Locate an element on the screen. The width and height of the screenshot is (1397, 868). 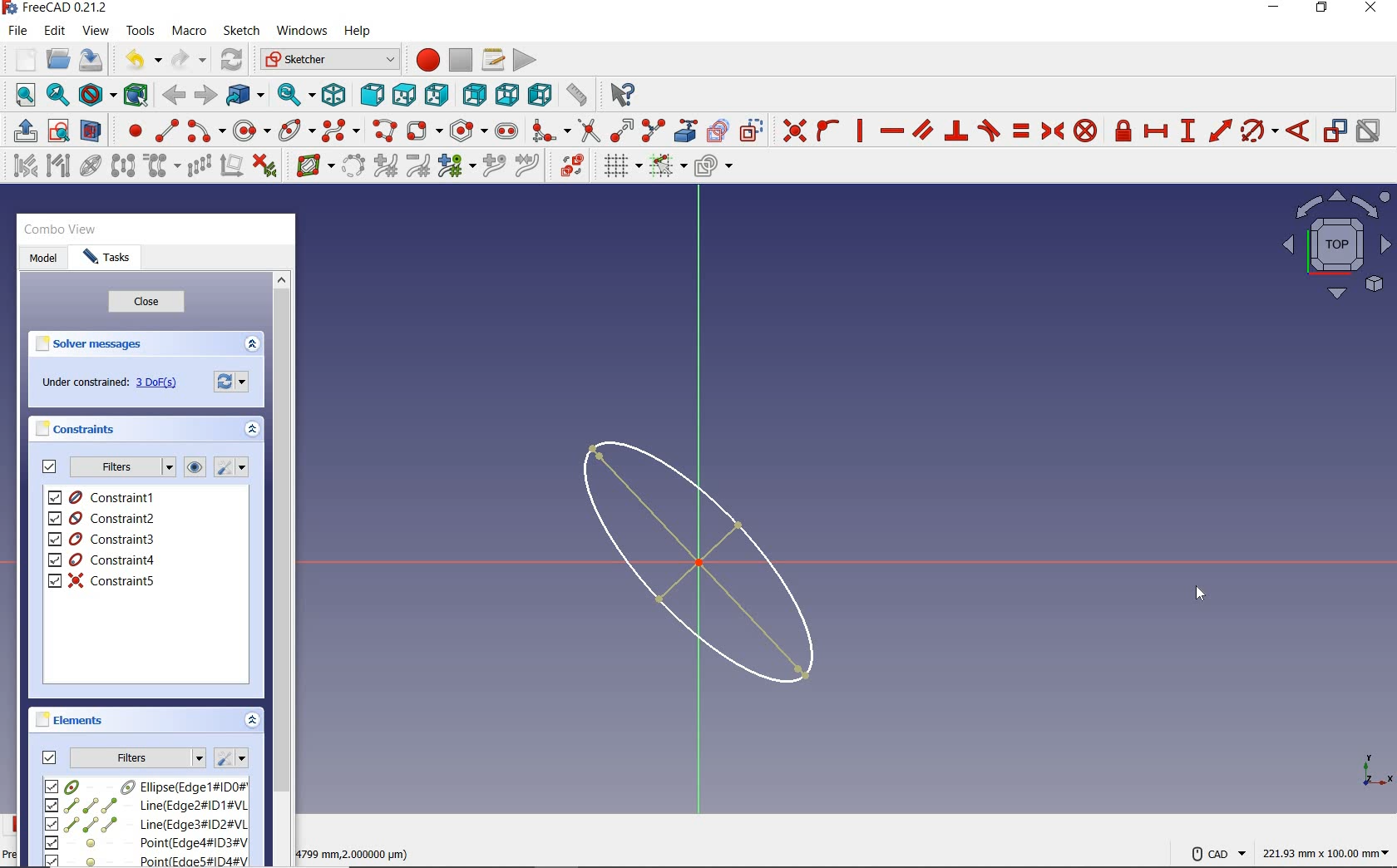
create rectangle is located at coordinates (423, 131).